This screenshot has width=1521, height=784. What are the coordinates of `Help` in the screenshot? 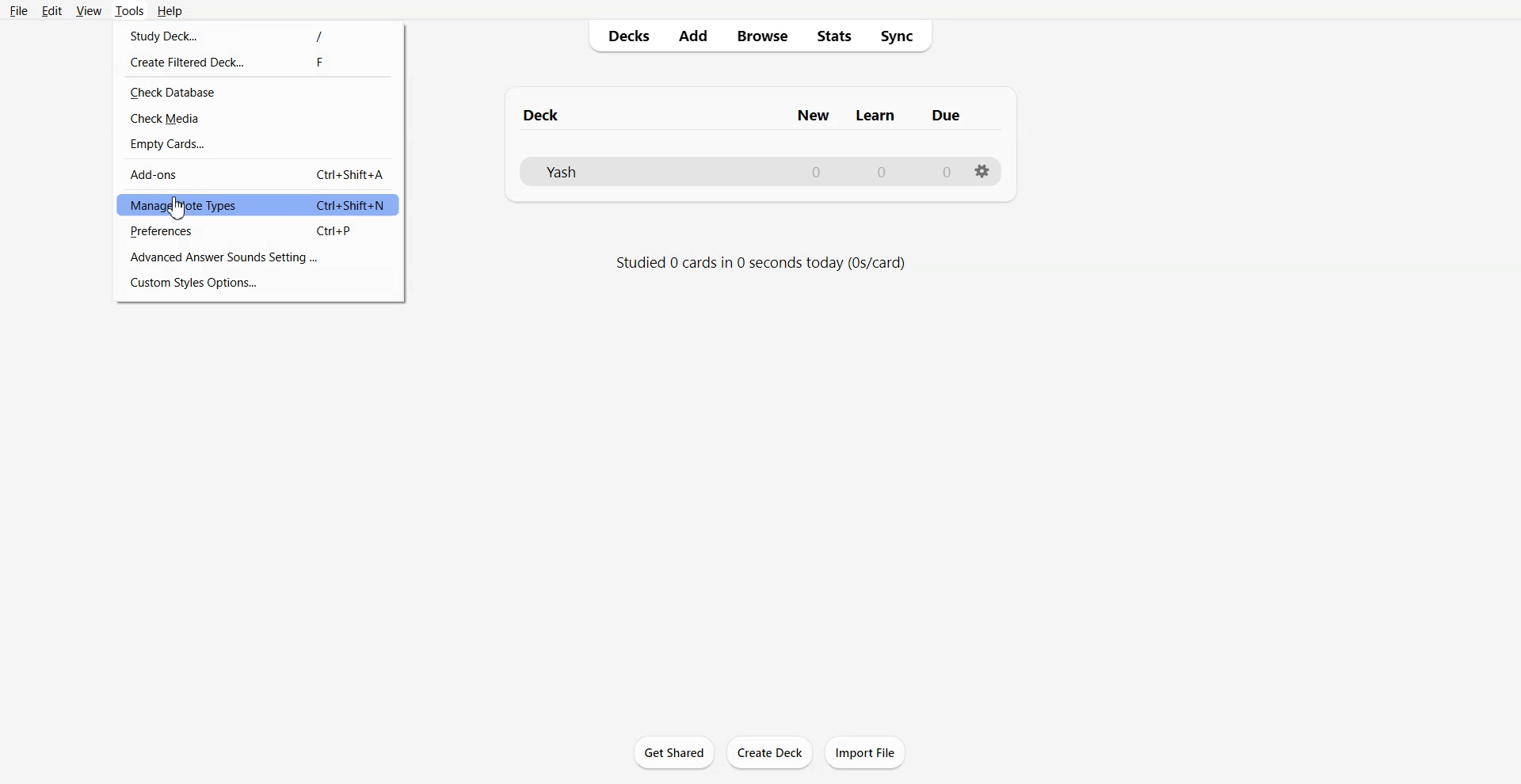 It's located at (170, 11).